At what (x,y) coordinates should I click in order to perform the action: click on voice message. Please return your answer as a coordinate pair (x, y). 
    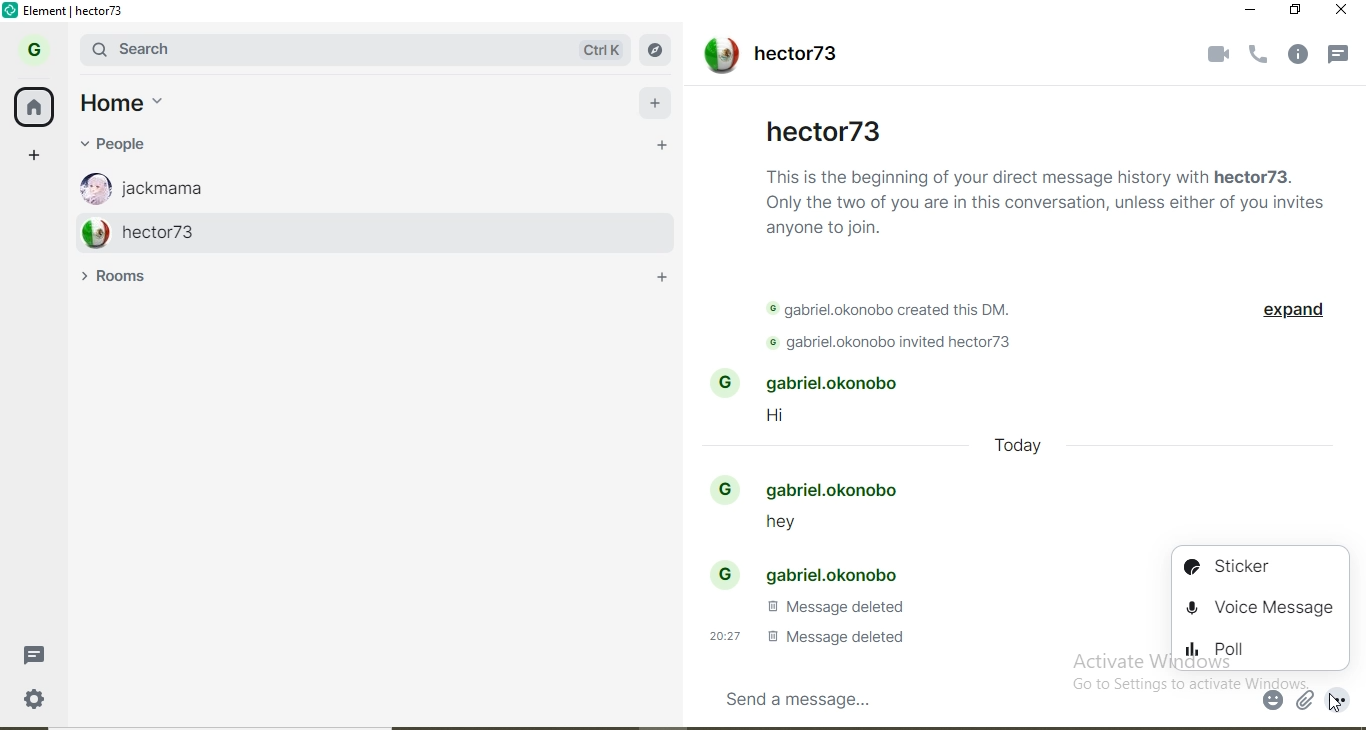
    Looking at the image, I should click on (1263, 607).